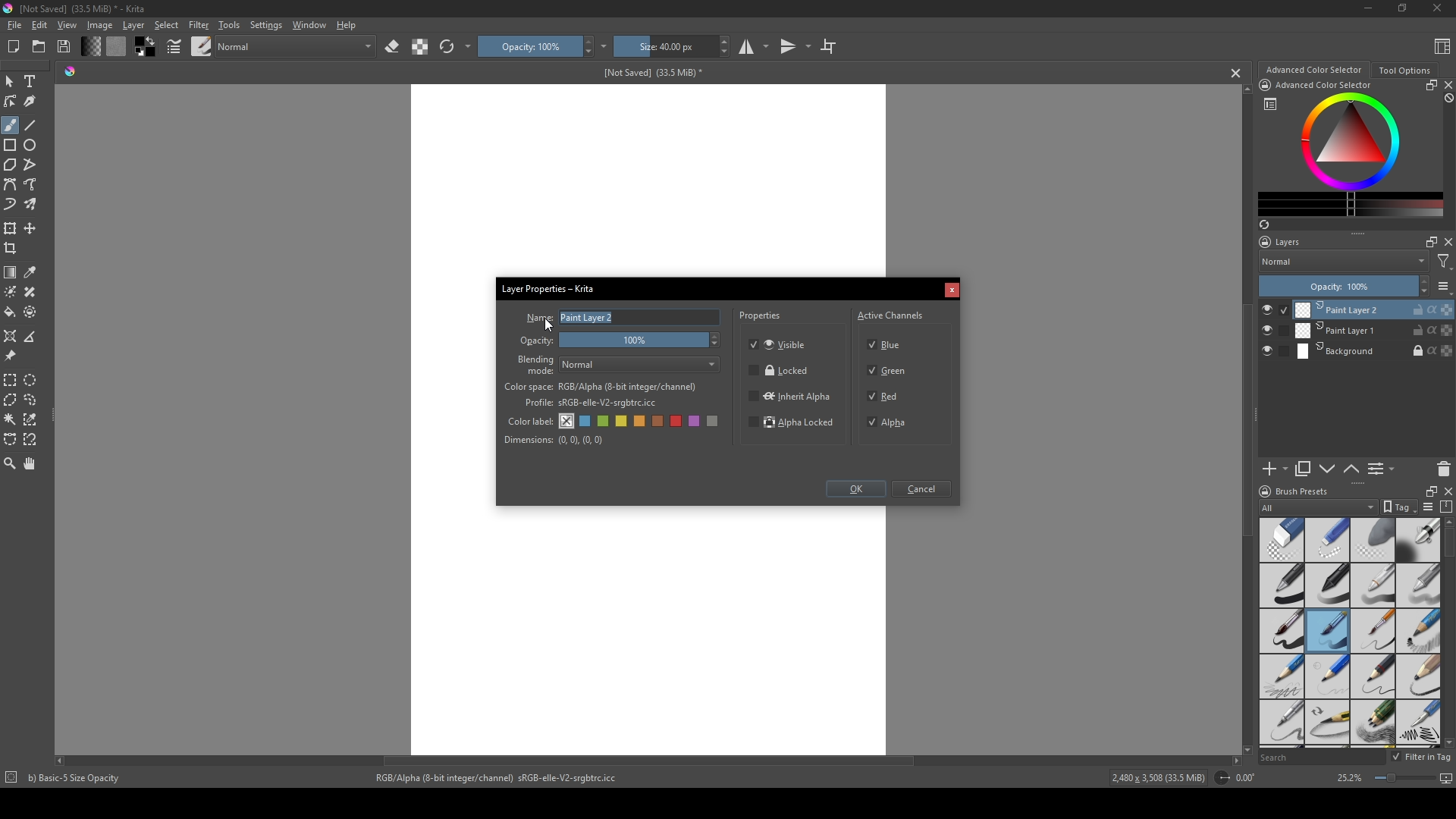 This screenshot has width=1456, height=819. What do you see at coordinates (550, 287) in the screenshot?
I see `Layer Properties - Krita` at bounding box center [550, 287].